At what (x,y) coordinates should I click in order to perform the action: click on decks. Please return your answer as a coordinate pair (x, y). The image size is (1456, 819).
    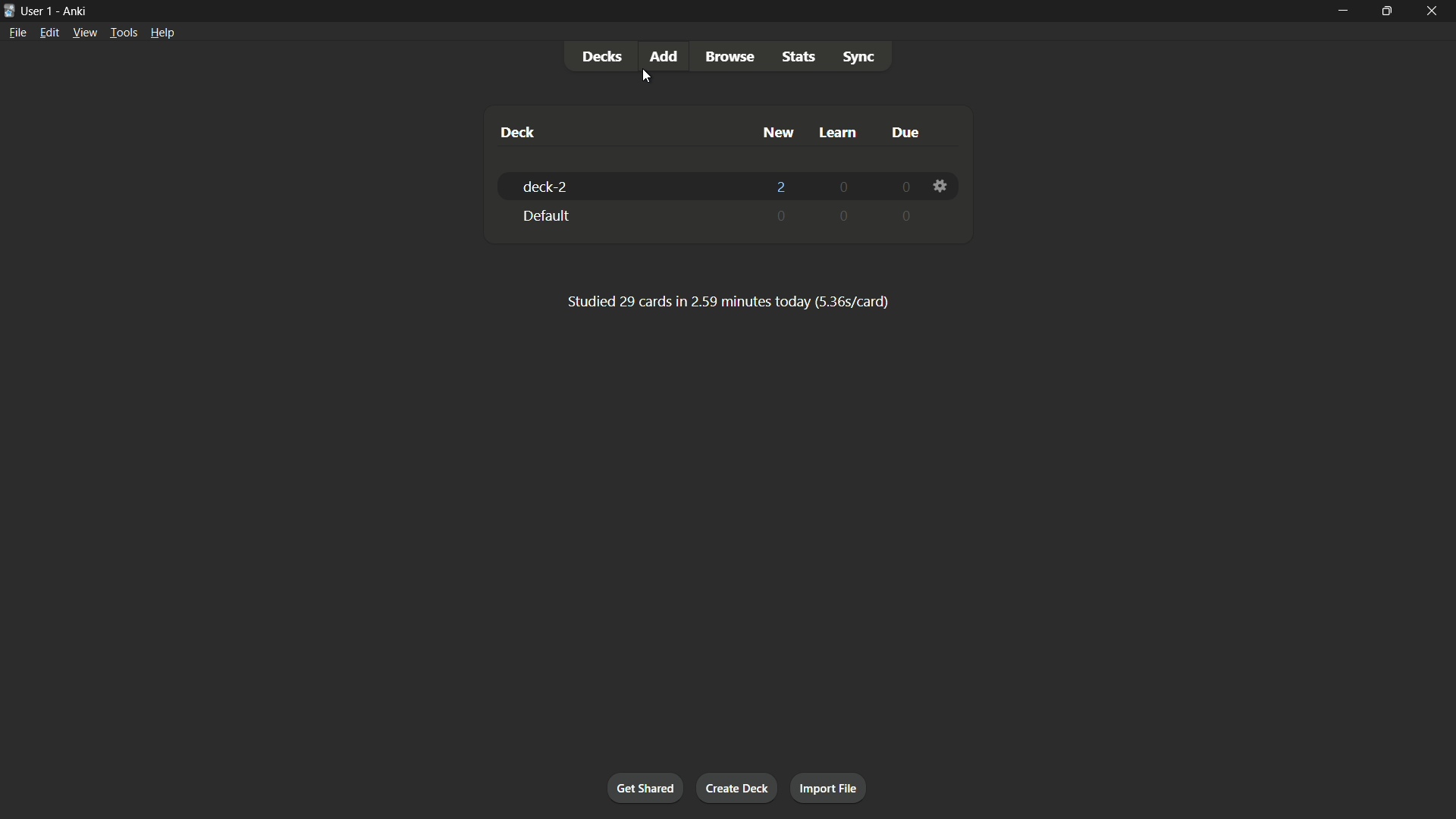
    Looking at the image, I should click on (600, 56).